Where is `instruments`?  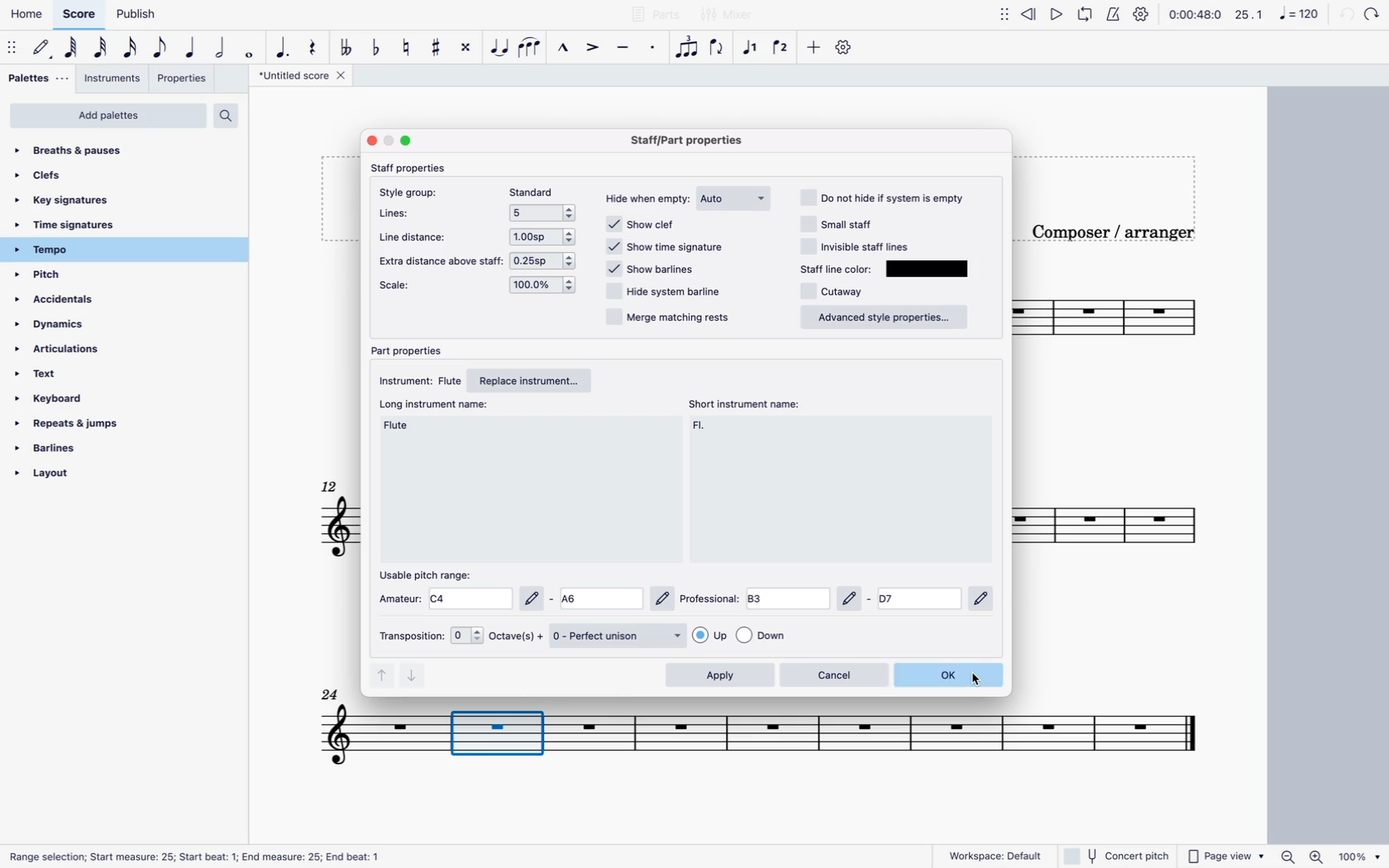 instruments is located at coordinates (113, 79).